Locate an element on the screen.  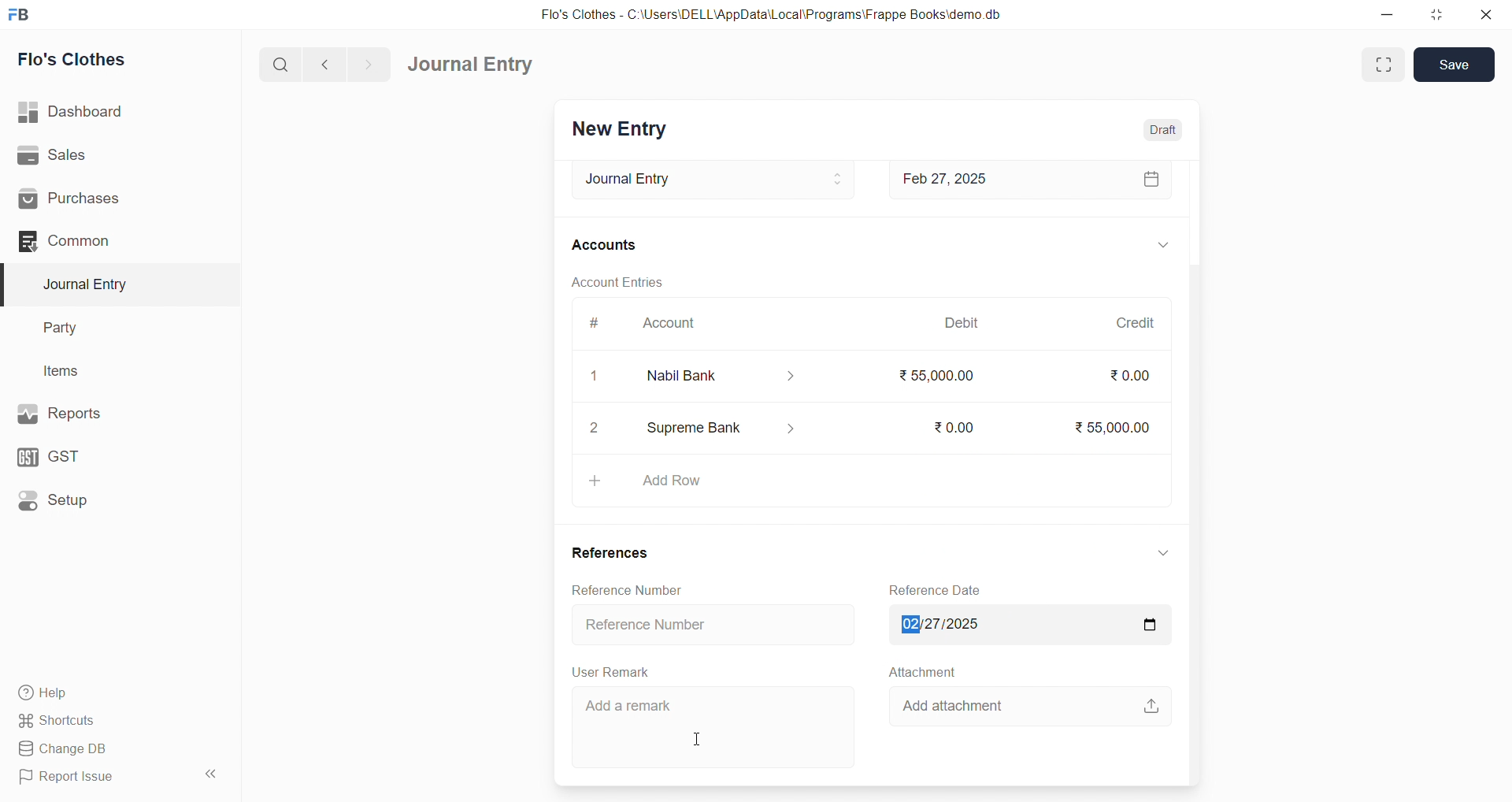
EXPAND/COLLAPSE is located at coordinates (1162, 247).